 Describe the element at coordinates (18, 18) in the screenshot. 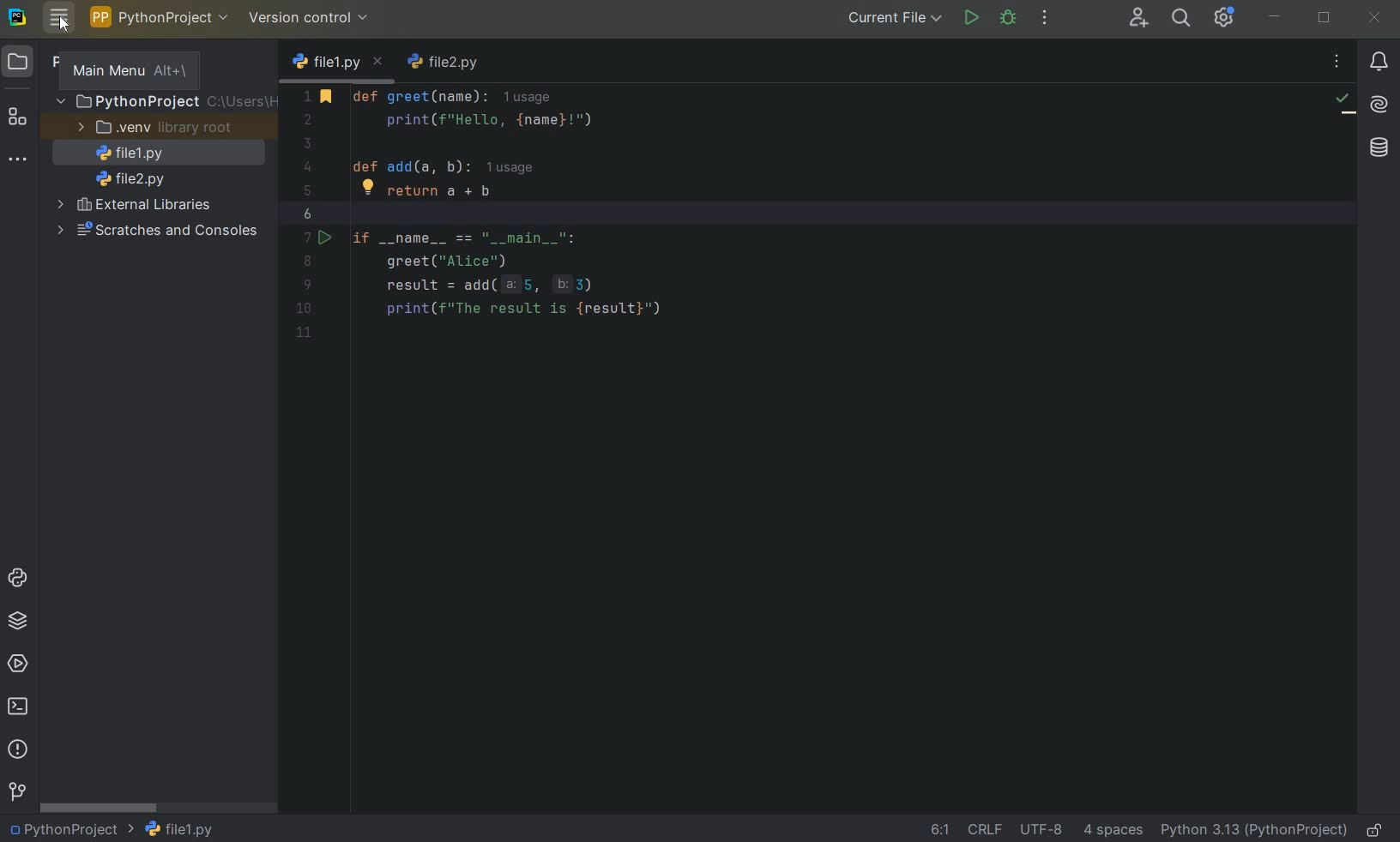

I see `system logo` at that location.